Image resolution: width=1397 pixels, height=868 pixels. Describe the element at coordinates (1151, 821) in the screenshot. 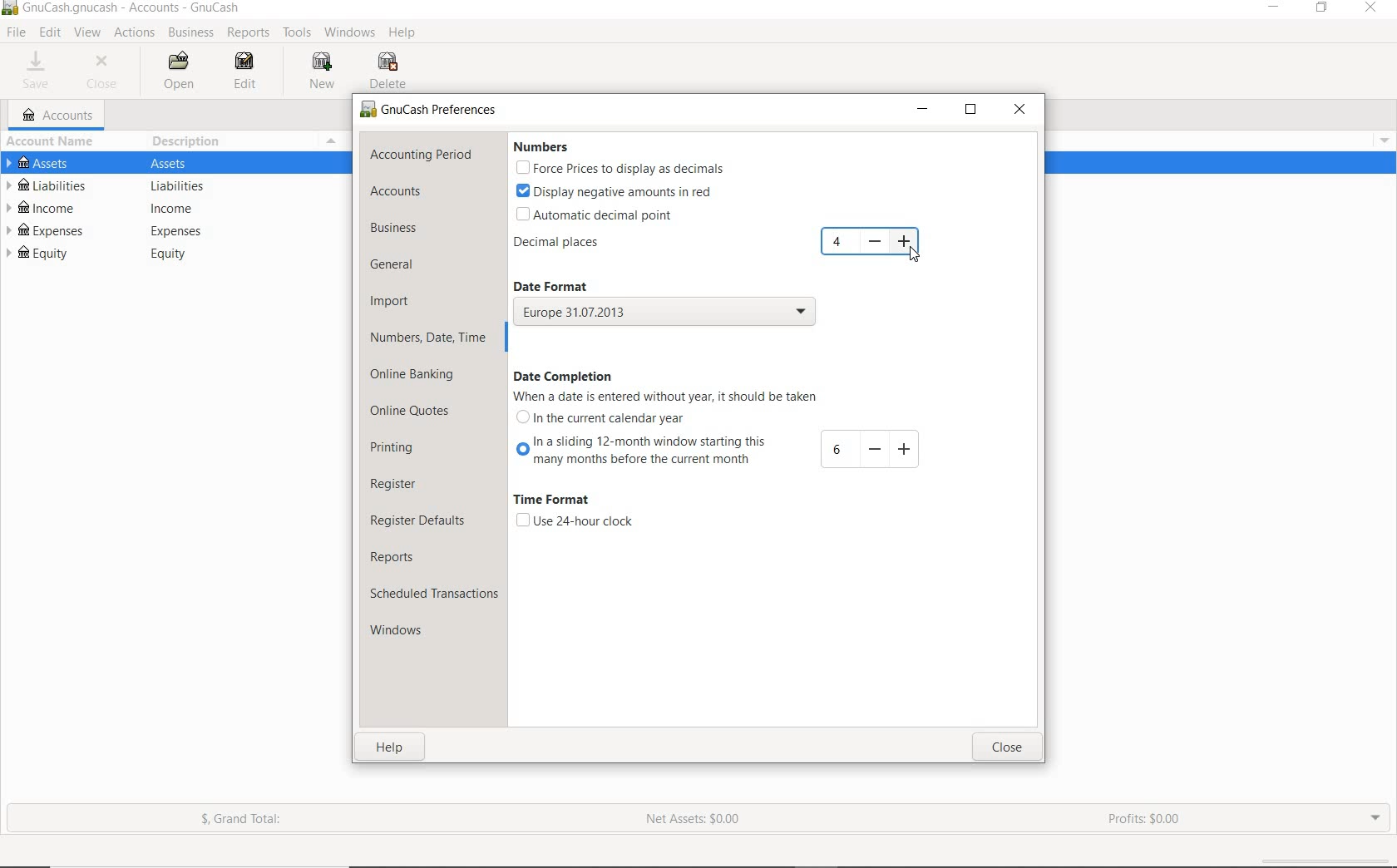

I see `PROFITS` at that location.